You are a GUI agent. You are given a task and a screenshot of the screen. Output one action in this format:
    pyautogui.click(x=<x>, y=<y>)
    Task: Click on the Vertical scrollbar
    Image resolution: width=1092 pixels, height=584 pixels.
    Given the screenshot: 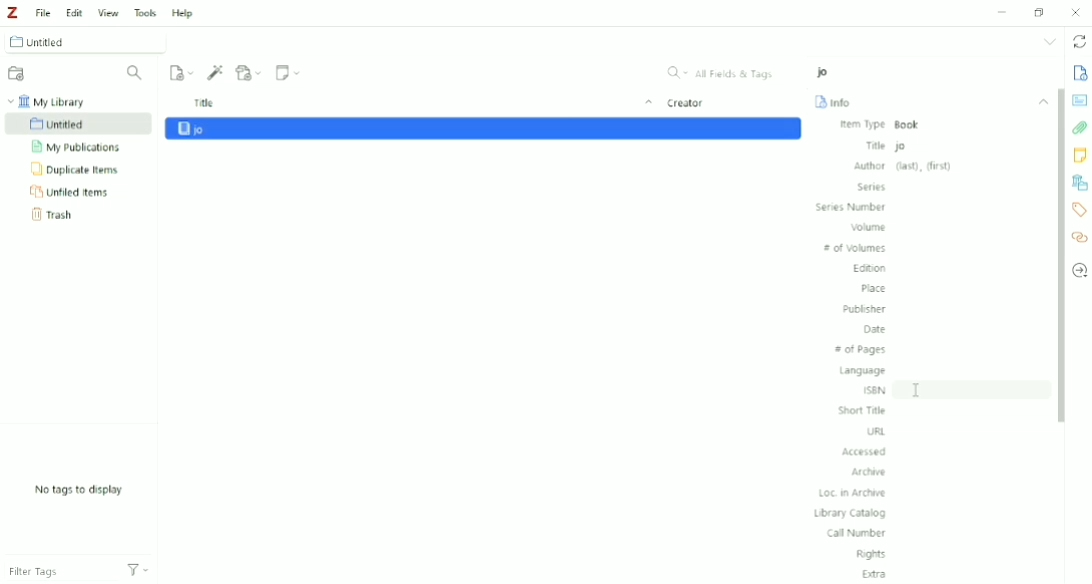 What is the action you would take?
    pyautogui.click(x=1765, y=315)
    